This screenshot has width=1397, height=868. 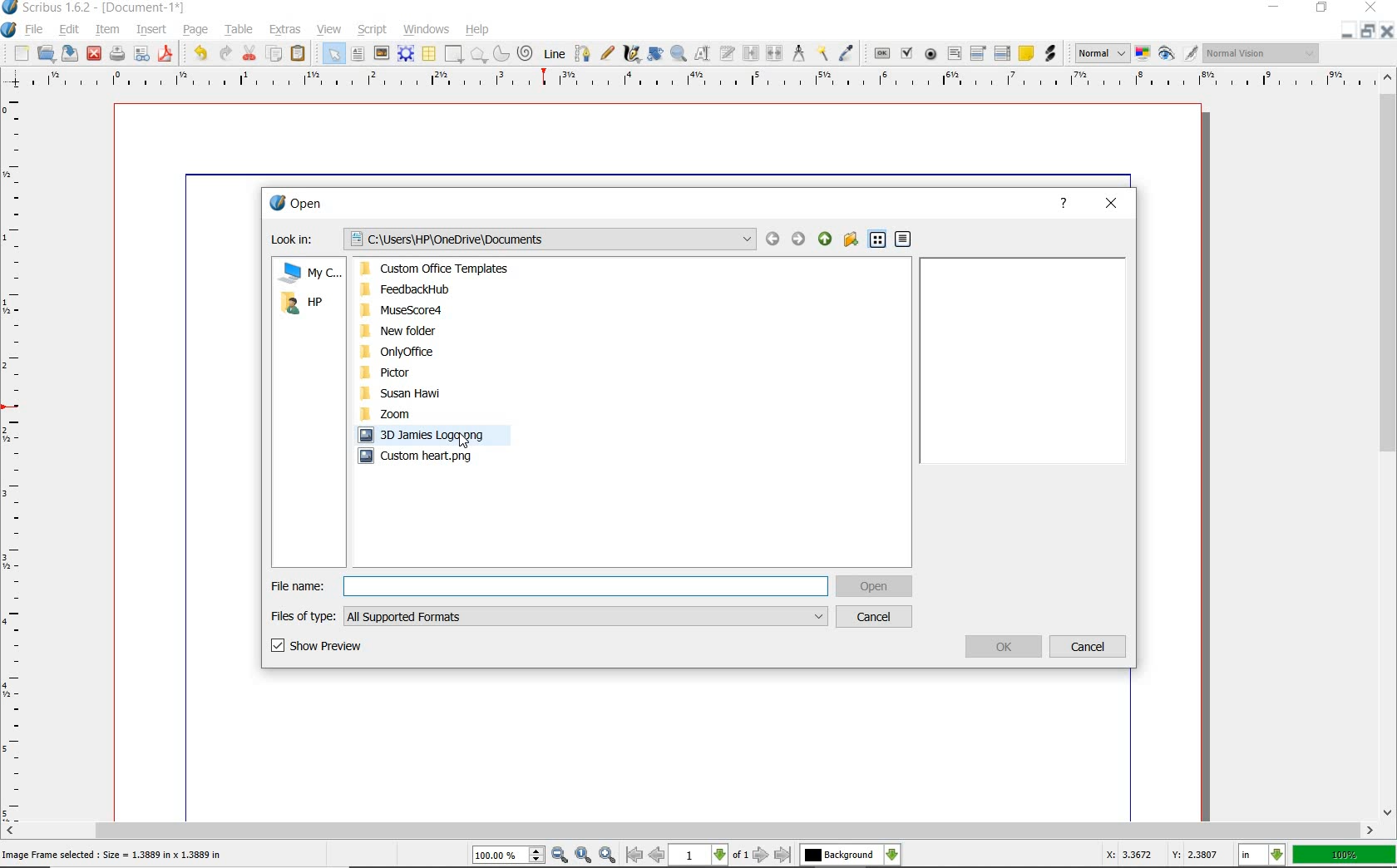 I want to click on Cursor Position, so click(x=464, y=442).